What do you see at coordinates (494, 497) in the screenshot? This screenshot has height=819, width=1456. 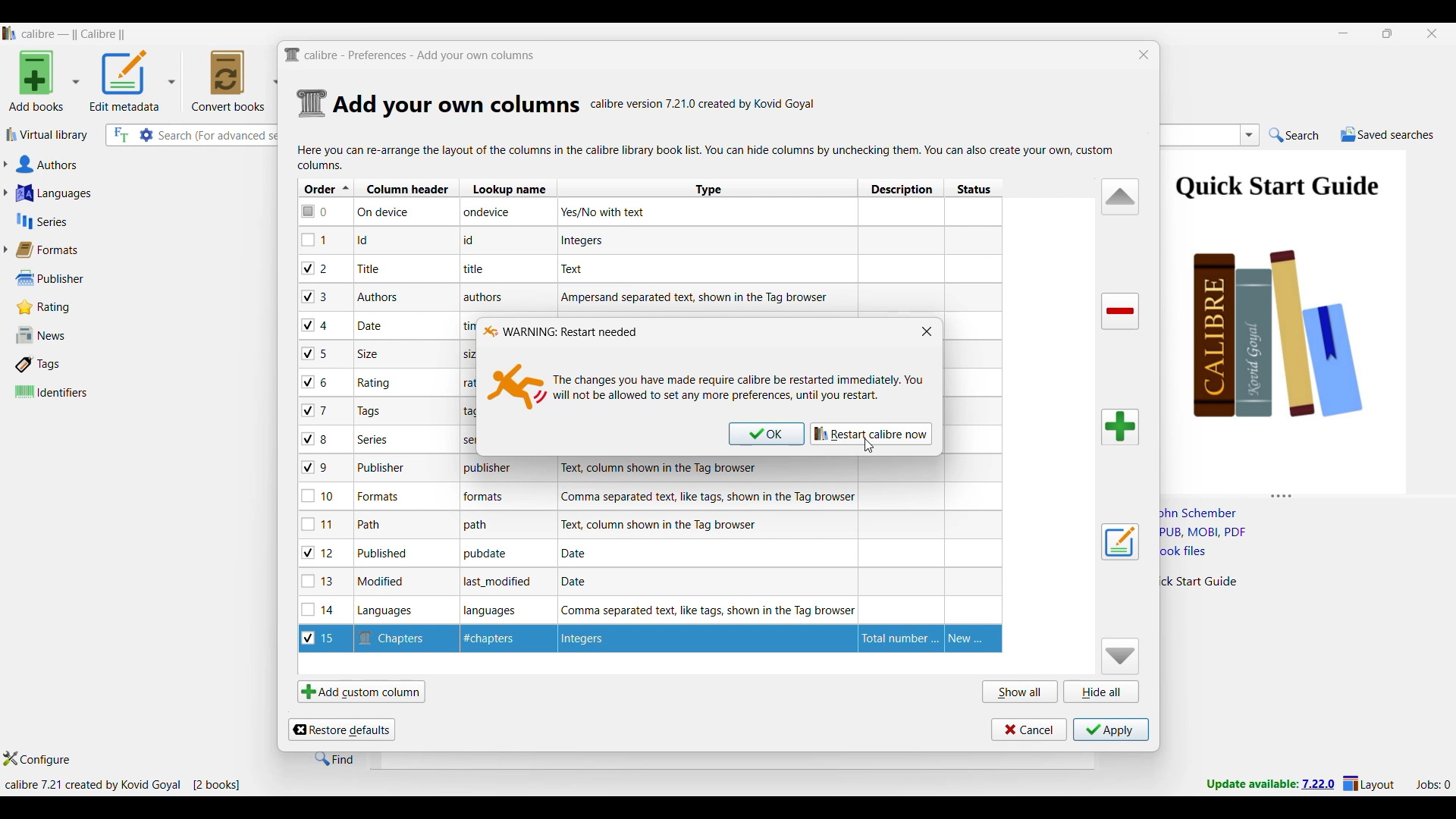 I see `note` at bounding box center [494, 497].